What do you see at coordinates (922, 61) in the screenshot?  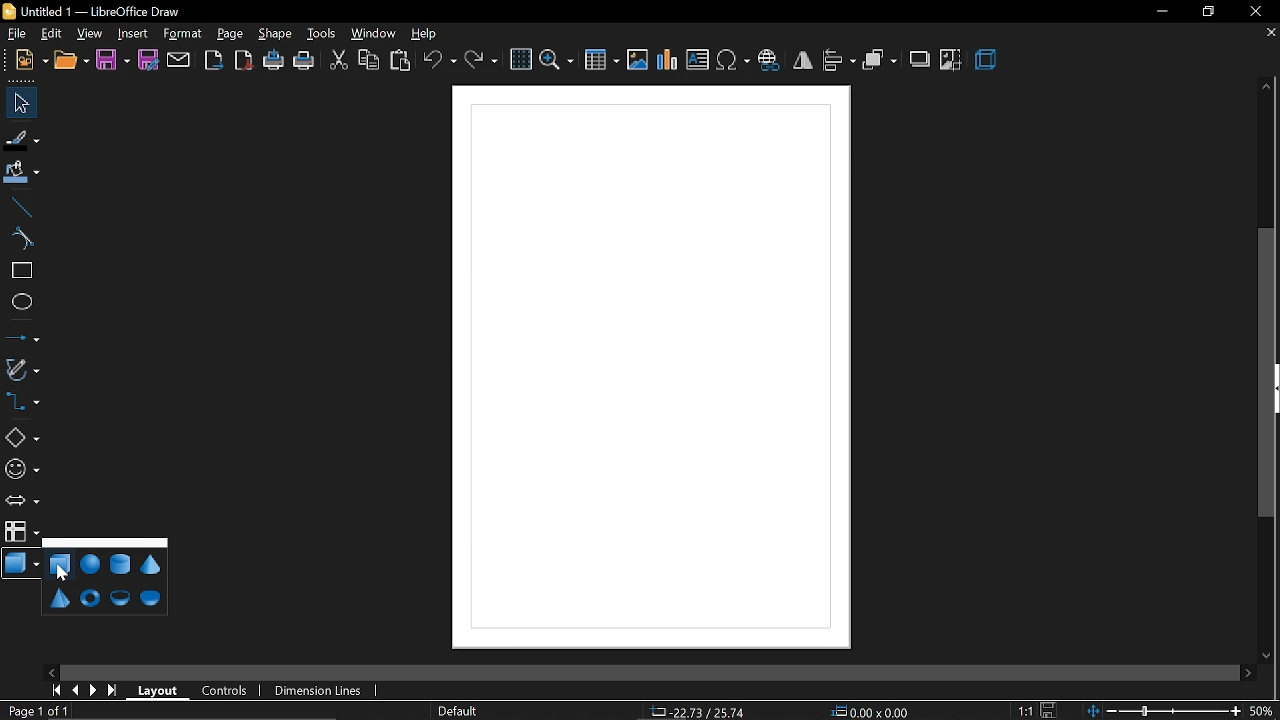 I see `shadow` at bounding box center [922, 61].